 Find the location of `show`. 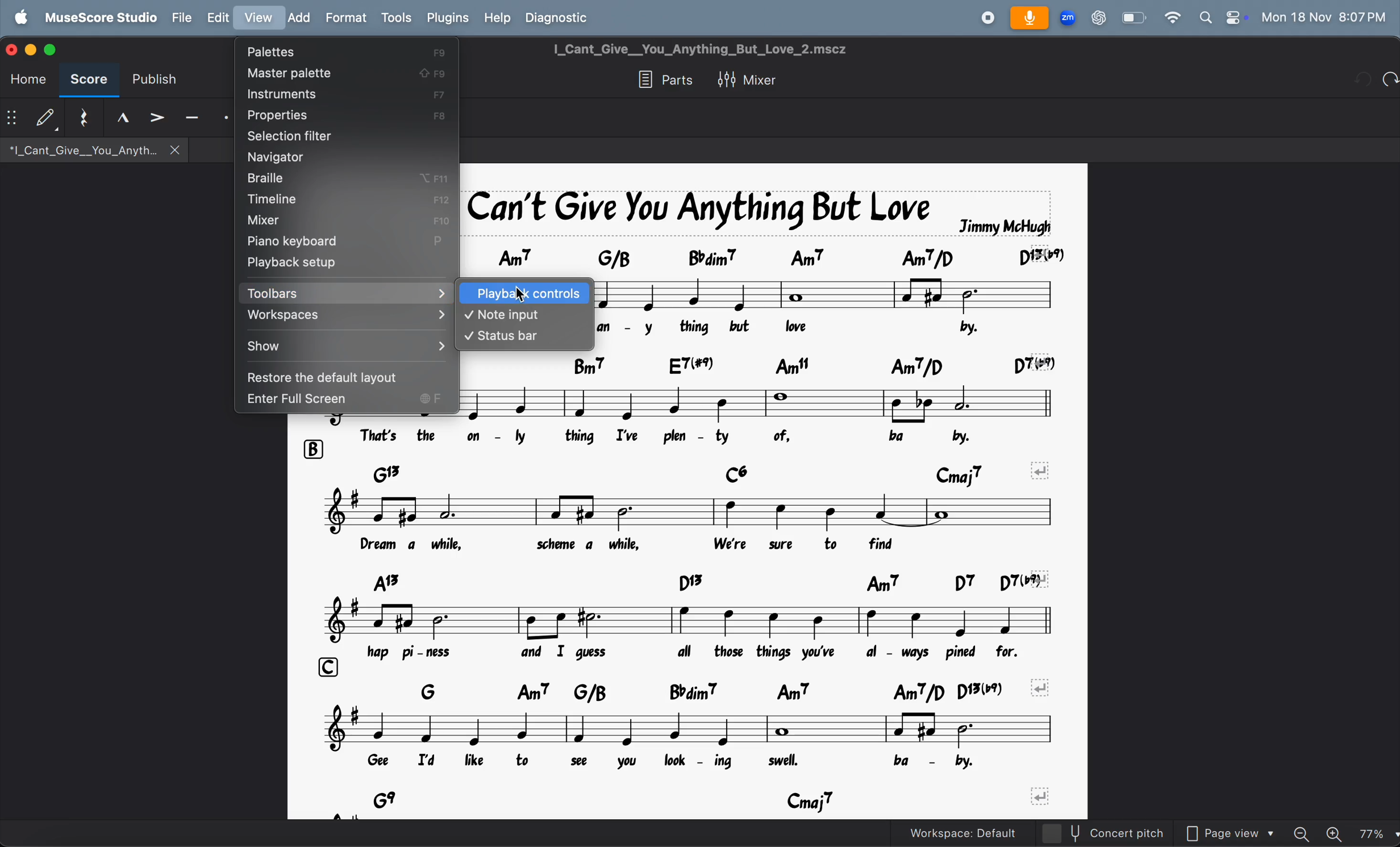

show is located at coordinates (346, 347).